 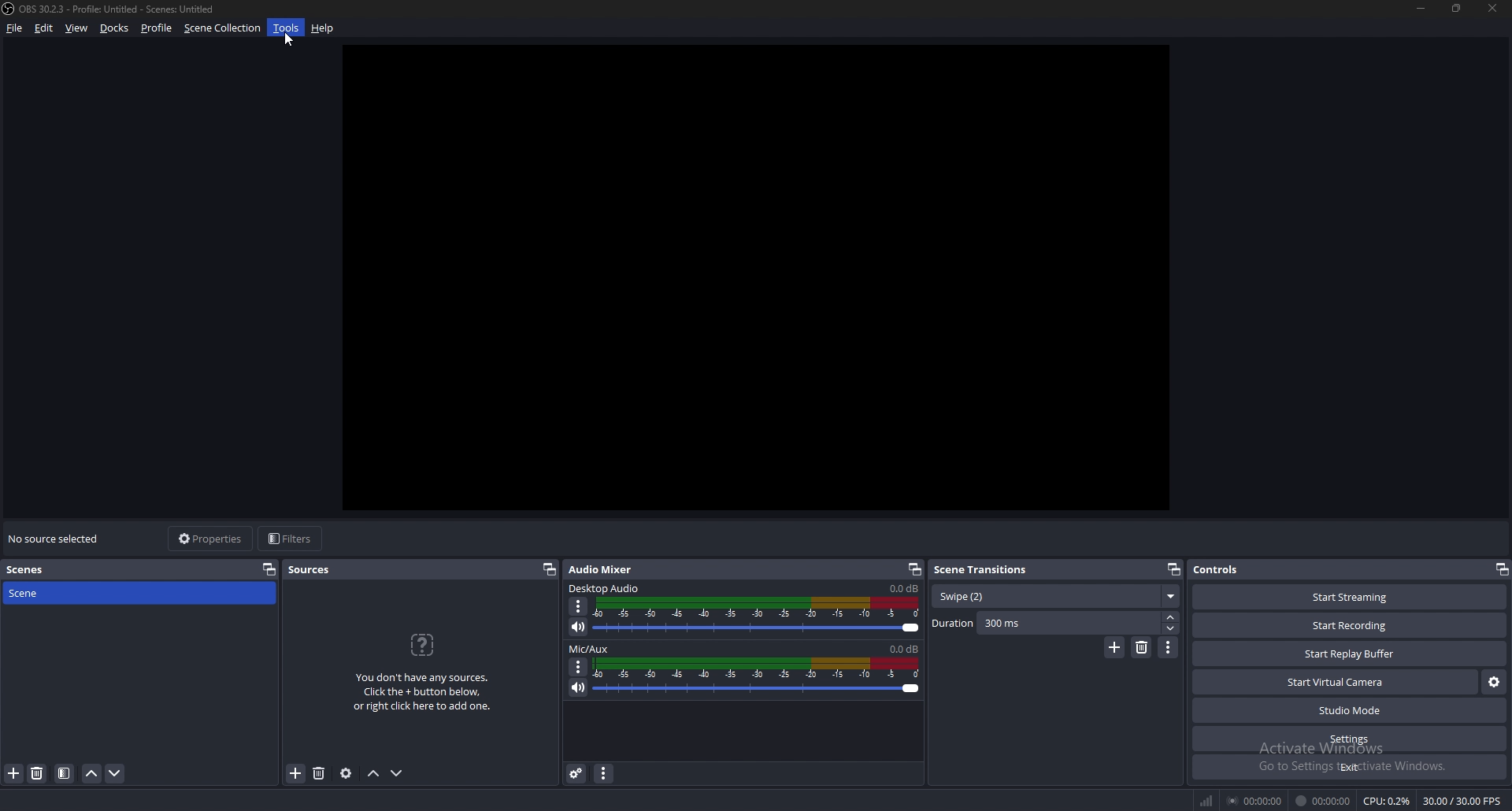 I want to click on start replay buffer, so click(x=1351, y=654).